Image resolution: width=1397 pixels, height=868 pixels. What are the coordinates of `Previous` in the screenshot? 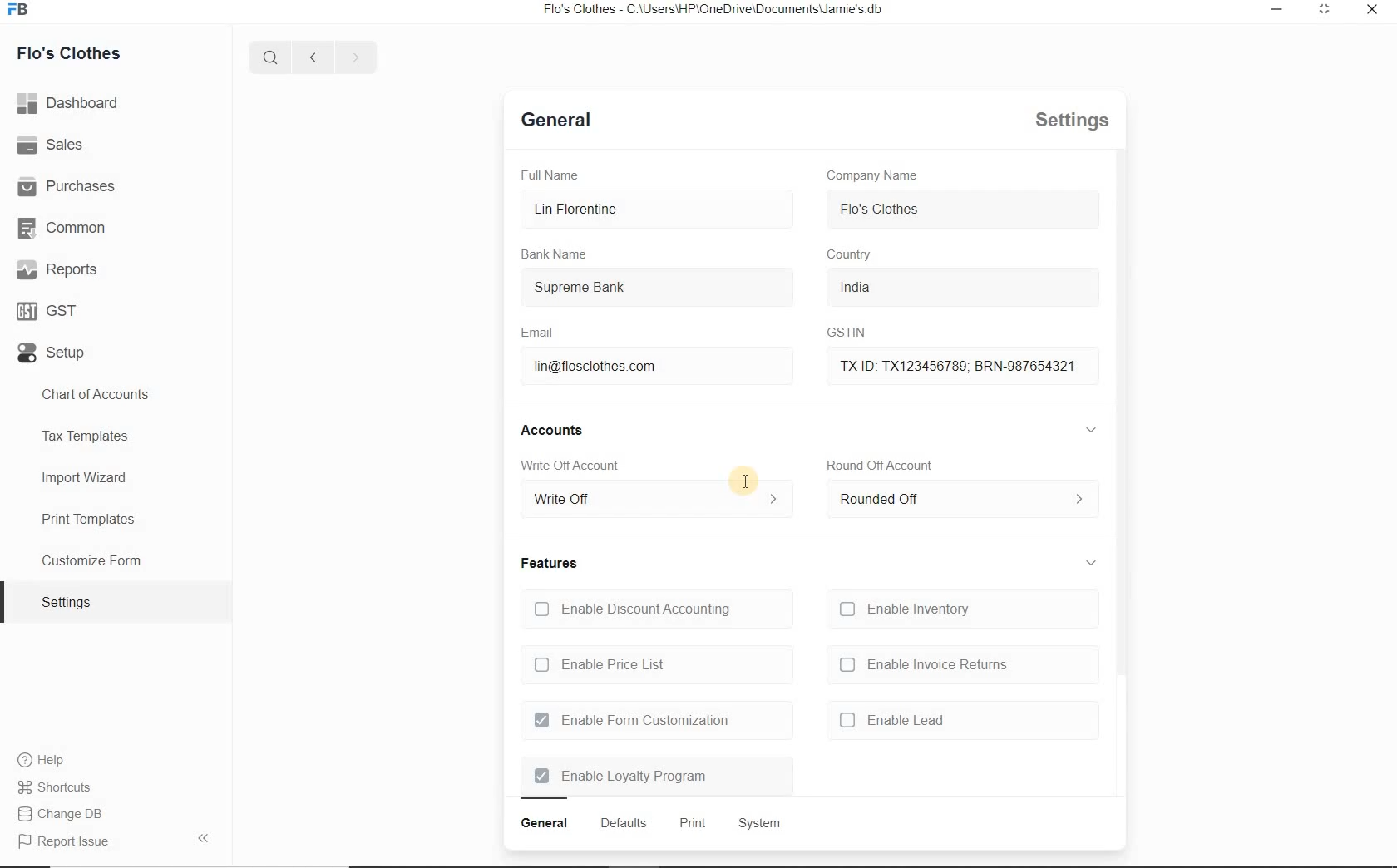 It's located at (310, 56).